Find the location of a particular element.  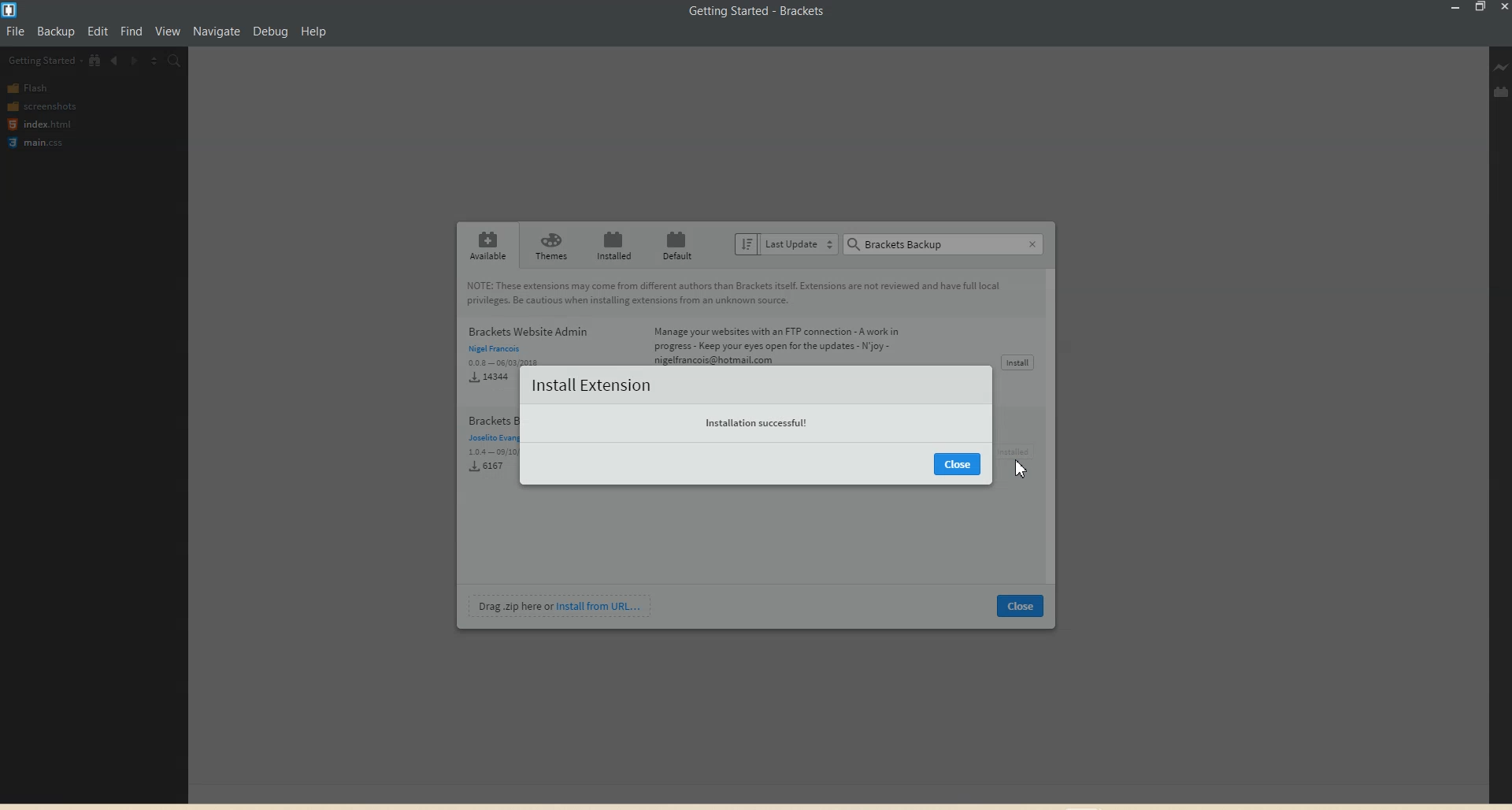

These extensions may come from different authors than Brackets itself. Extensions are not reviewed and have full local privileges. Be cautious when installing extensions from an unknown source. is located at coordinates (740, 294).